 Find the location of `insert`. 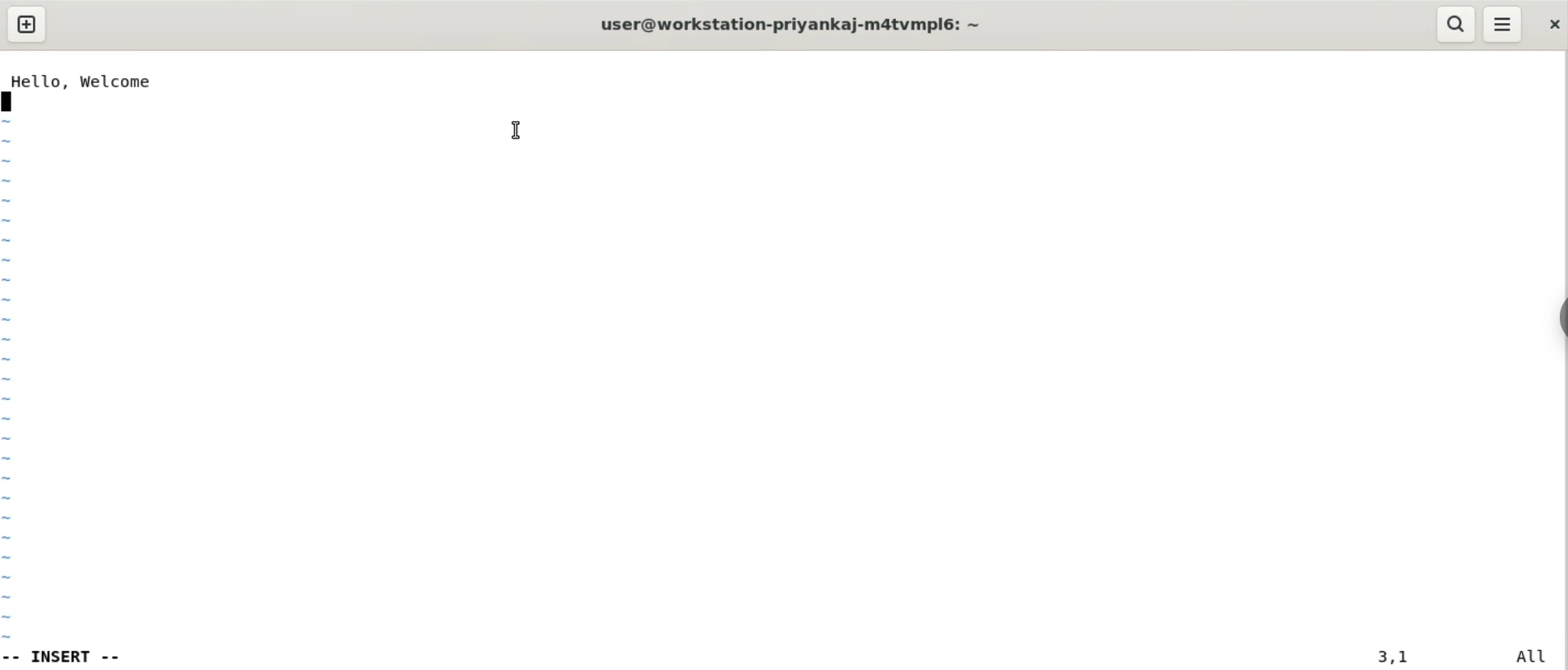

insert is located at coordinates (72, 655).